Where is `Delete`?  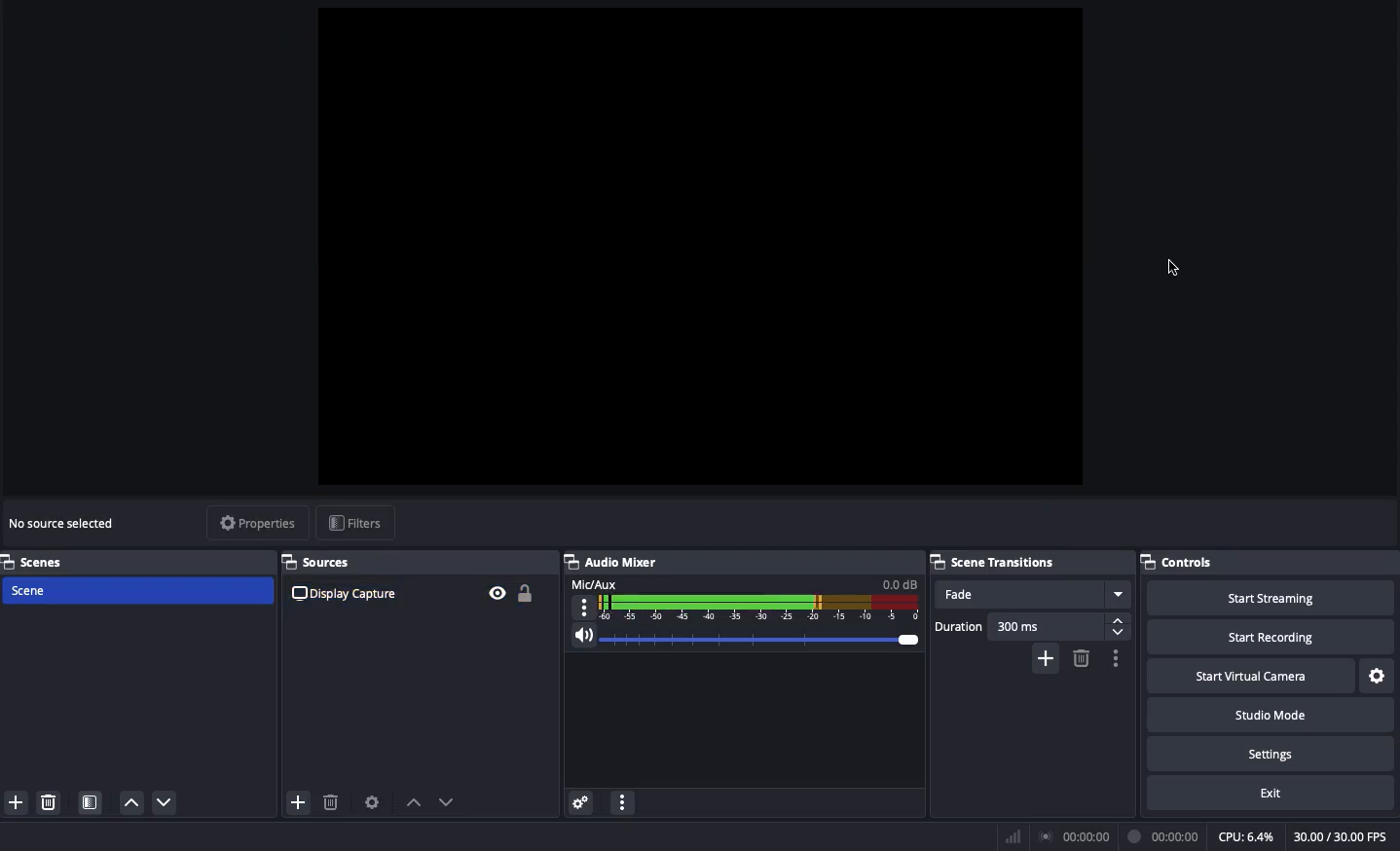 Delete is located at coordinates (332, 803).